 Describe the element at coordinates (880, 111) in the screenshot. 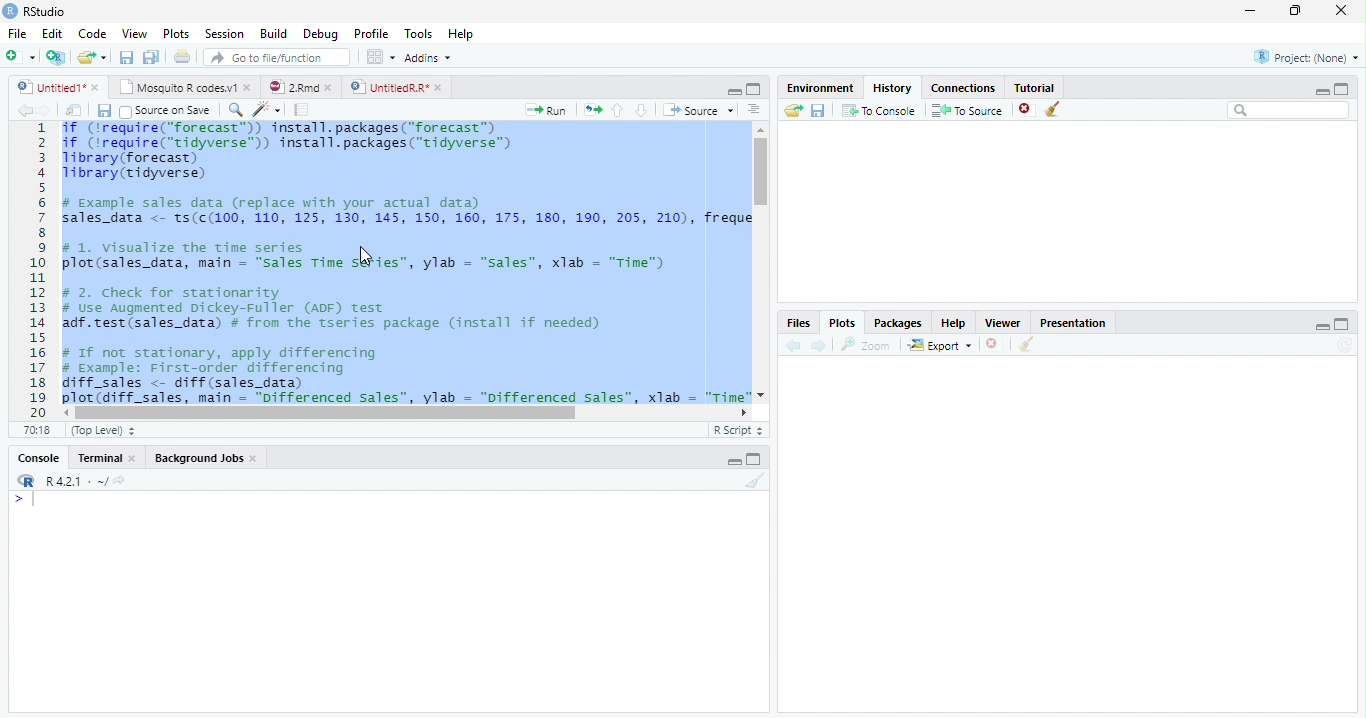

I see `To Console` at that location.